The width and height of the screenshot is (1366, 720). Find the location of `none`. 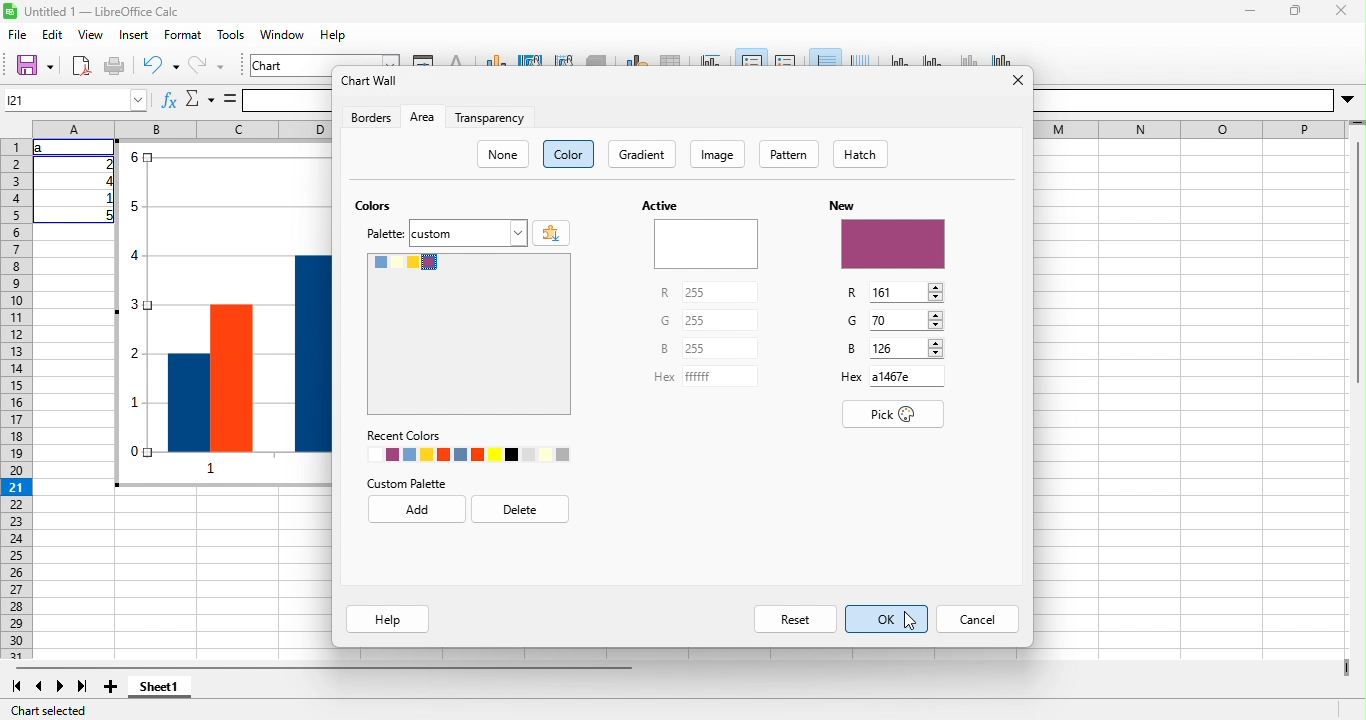

none is located at coordinates (502, 154).